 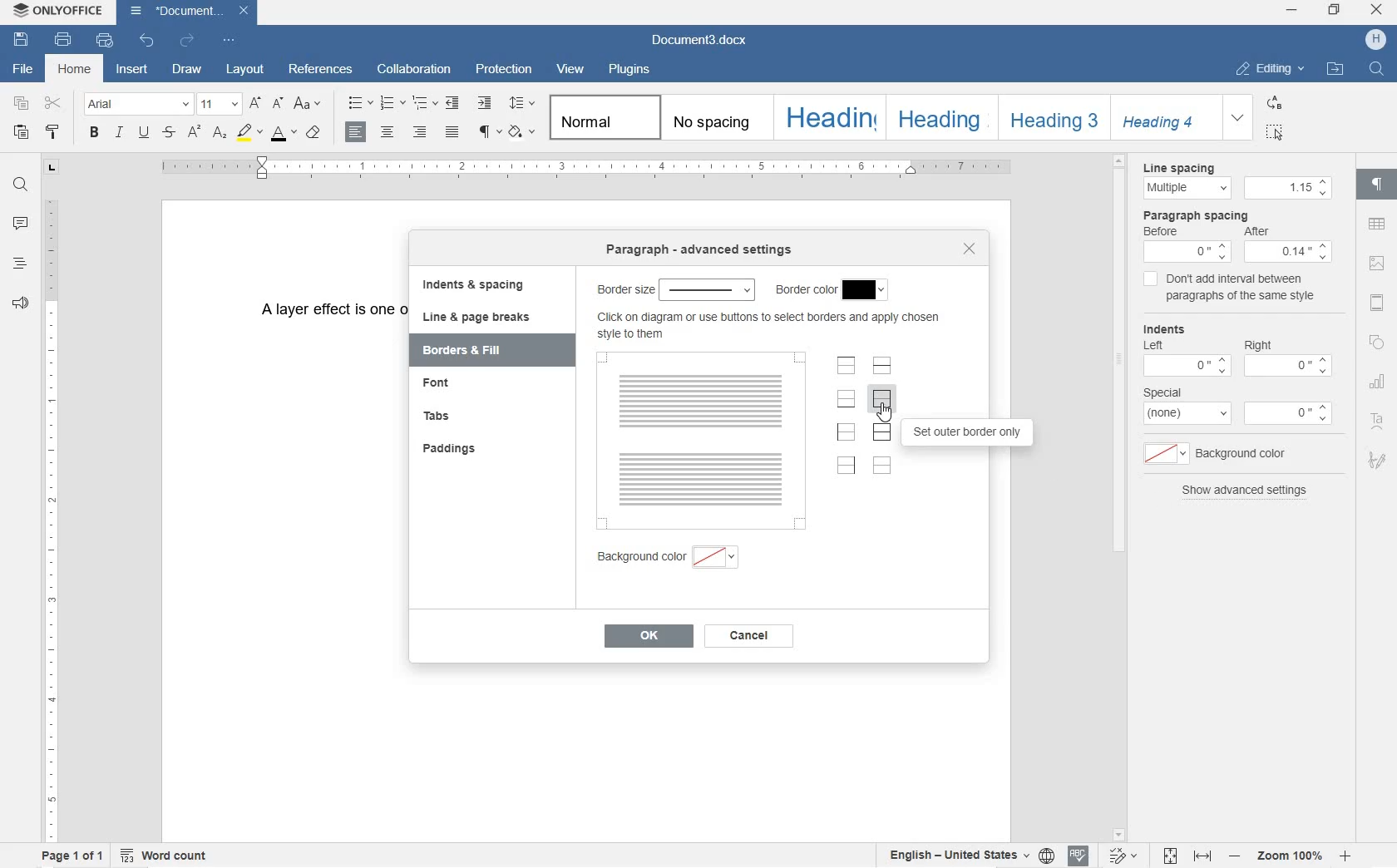 What do you see at coordinates (1289, 244) in the screenshot?
I see `After` at bounding box center [1289, 244].